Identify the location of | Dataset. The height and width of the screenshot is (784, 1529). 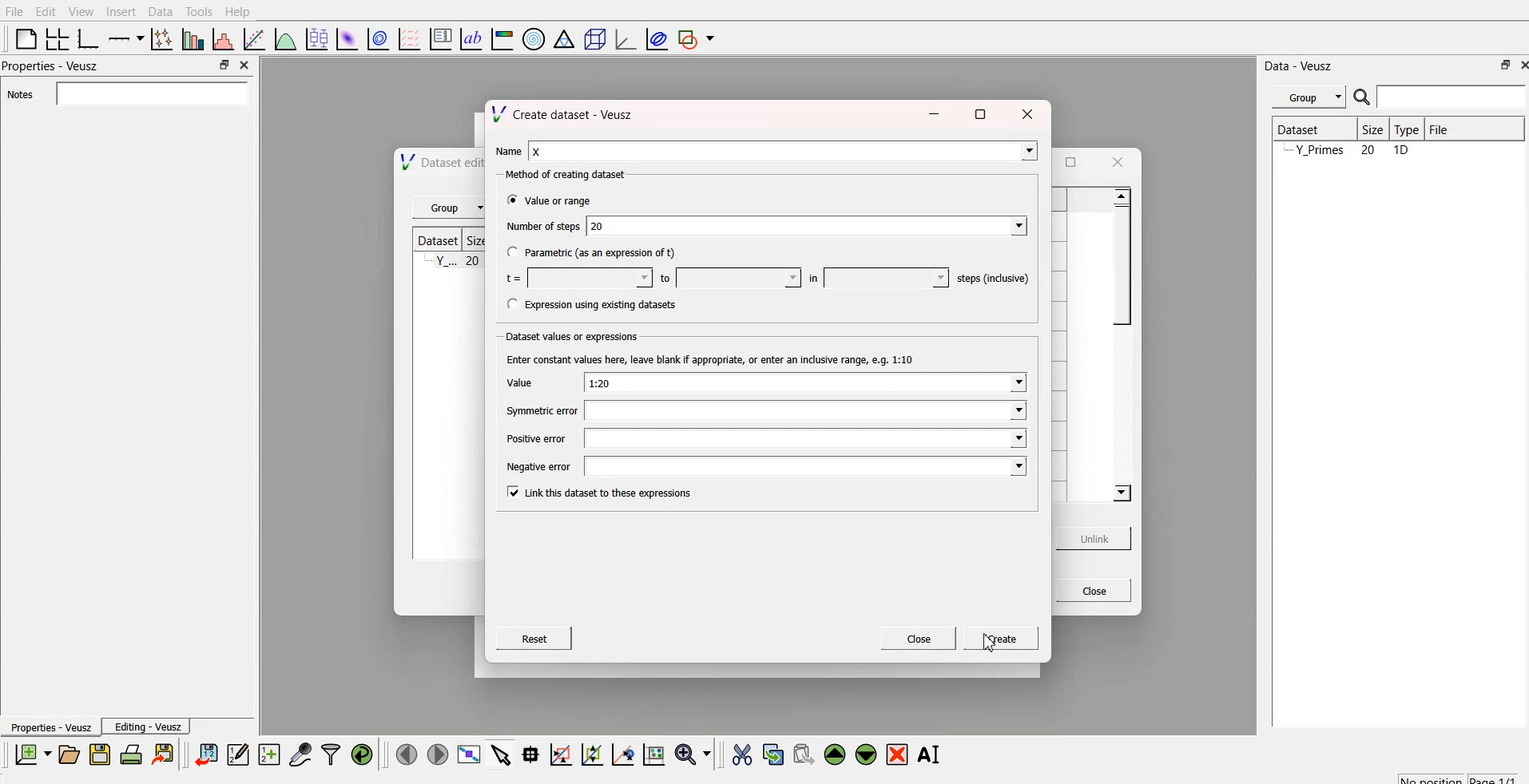
(1298, 128).